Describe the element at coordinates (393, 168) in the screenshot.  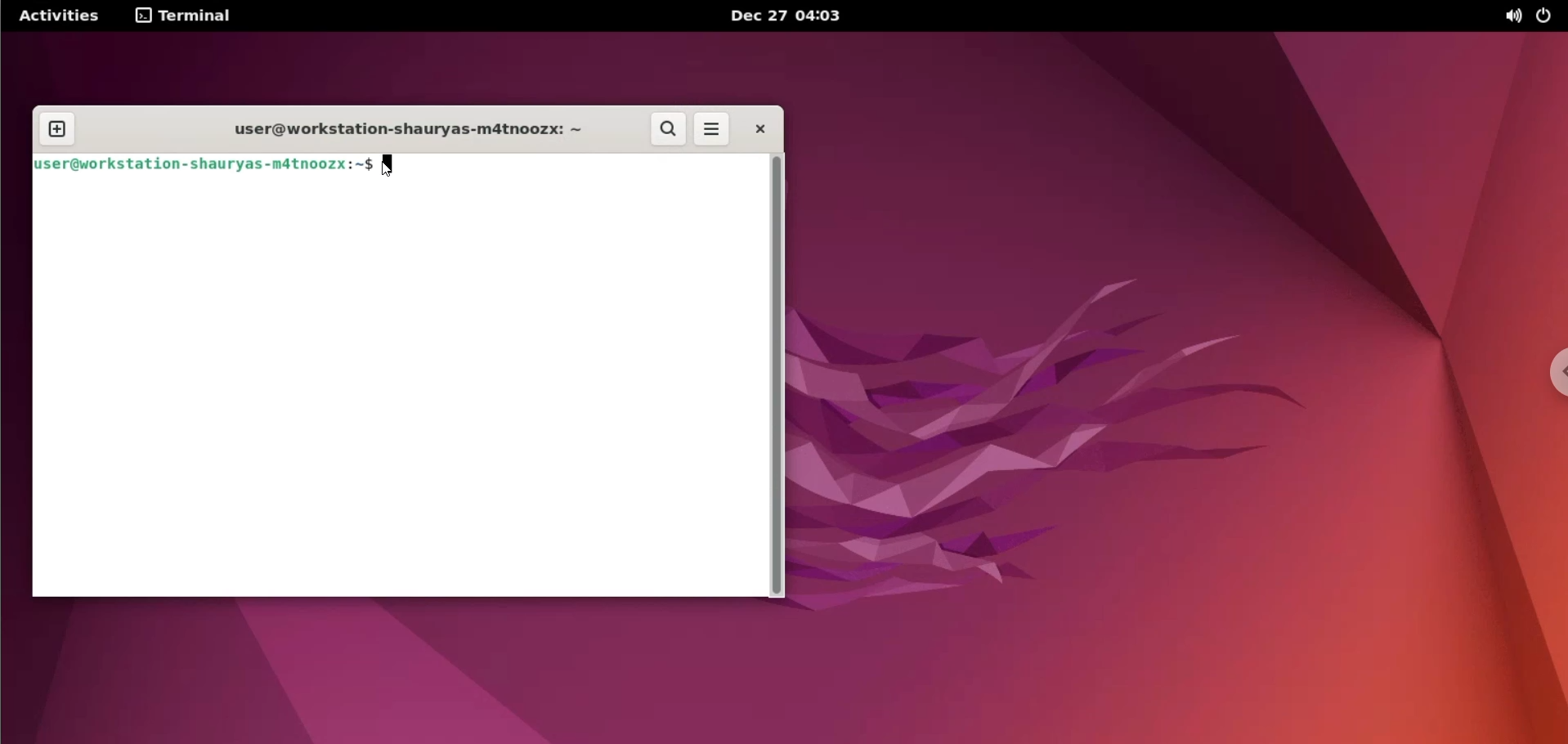
I see `typing indicator cursor` at that location.